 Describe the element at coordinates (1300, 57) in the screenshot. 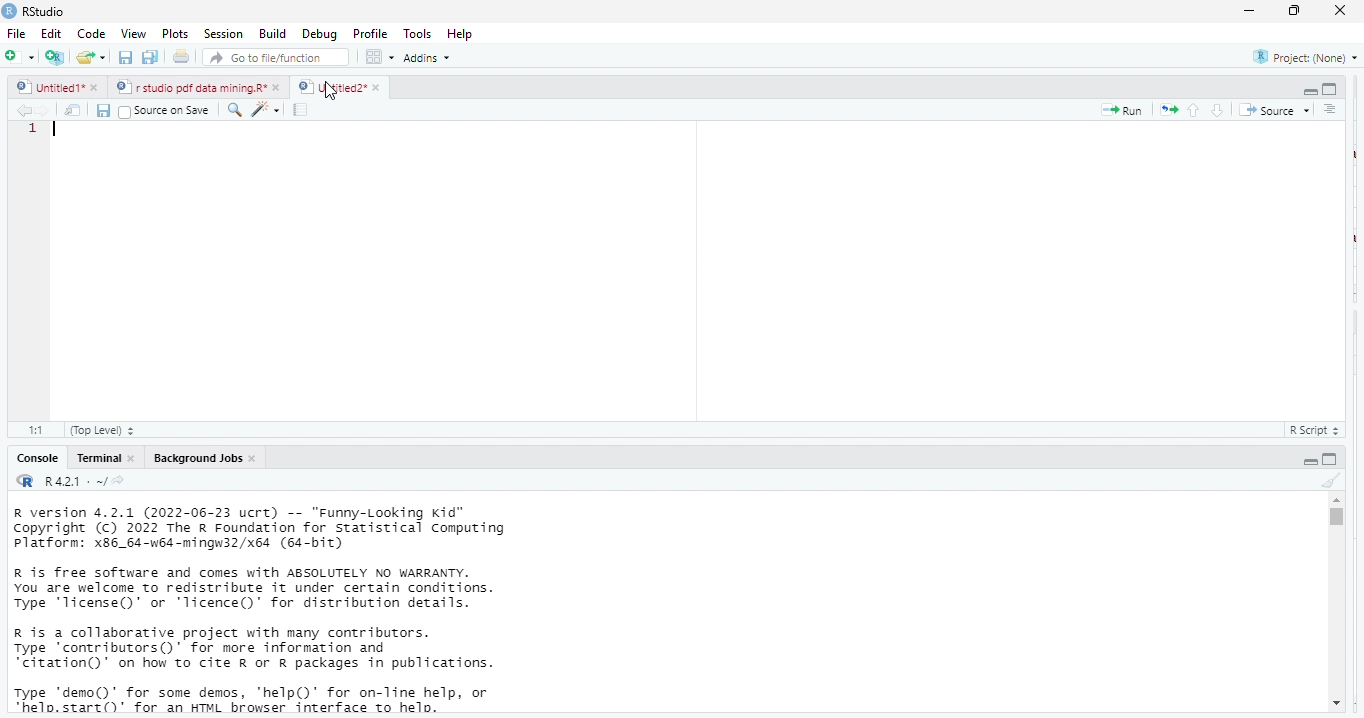

I see `project (none)` at that location.